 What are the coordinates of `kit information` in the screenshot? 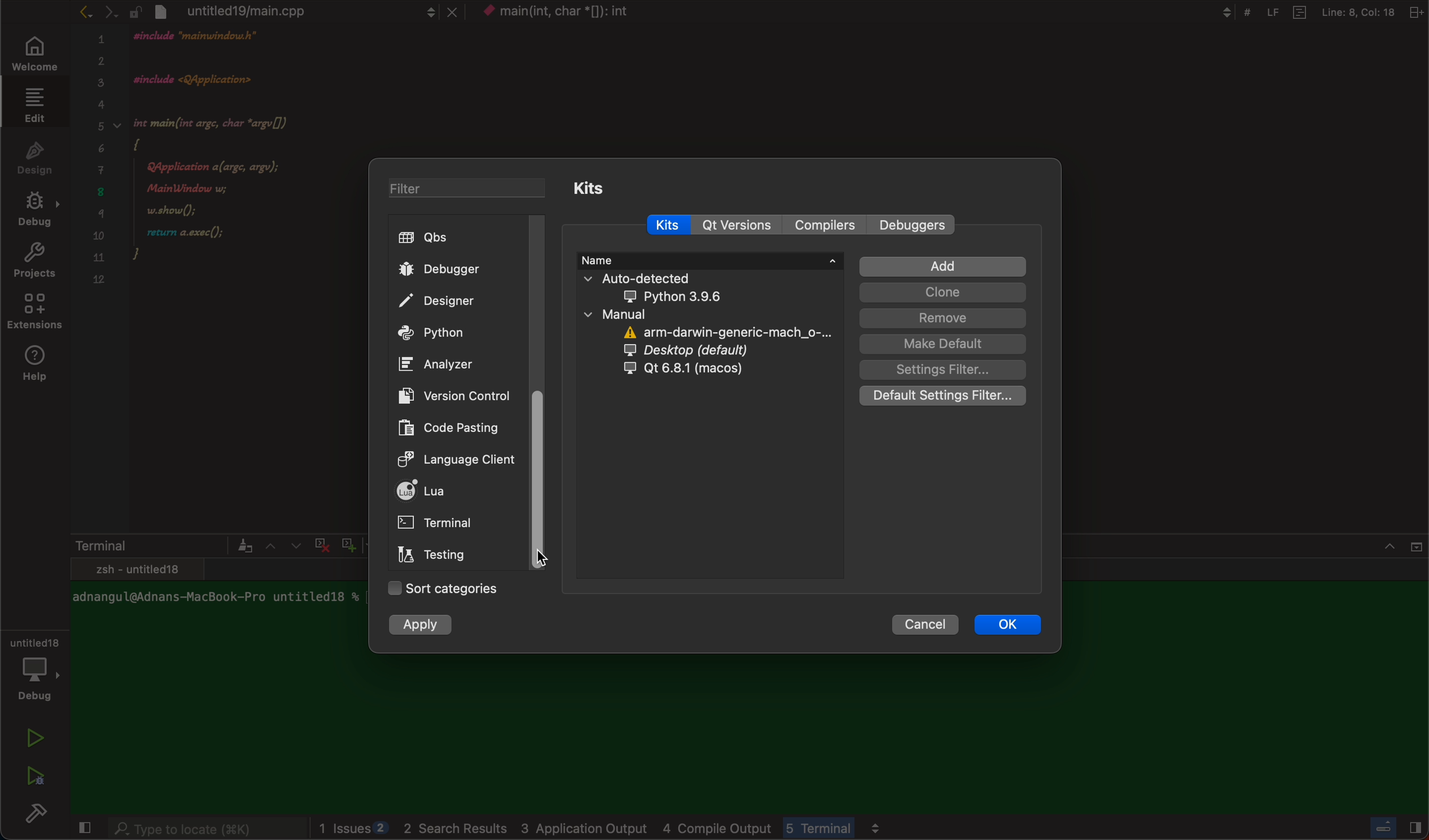 It's located at (715, 320).